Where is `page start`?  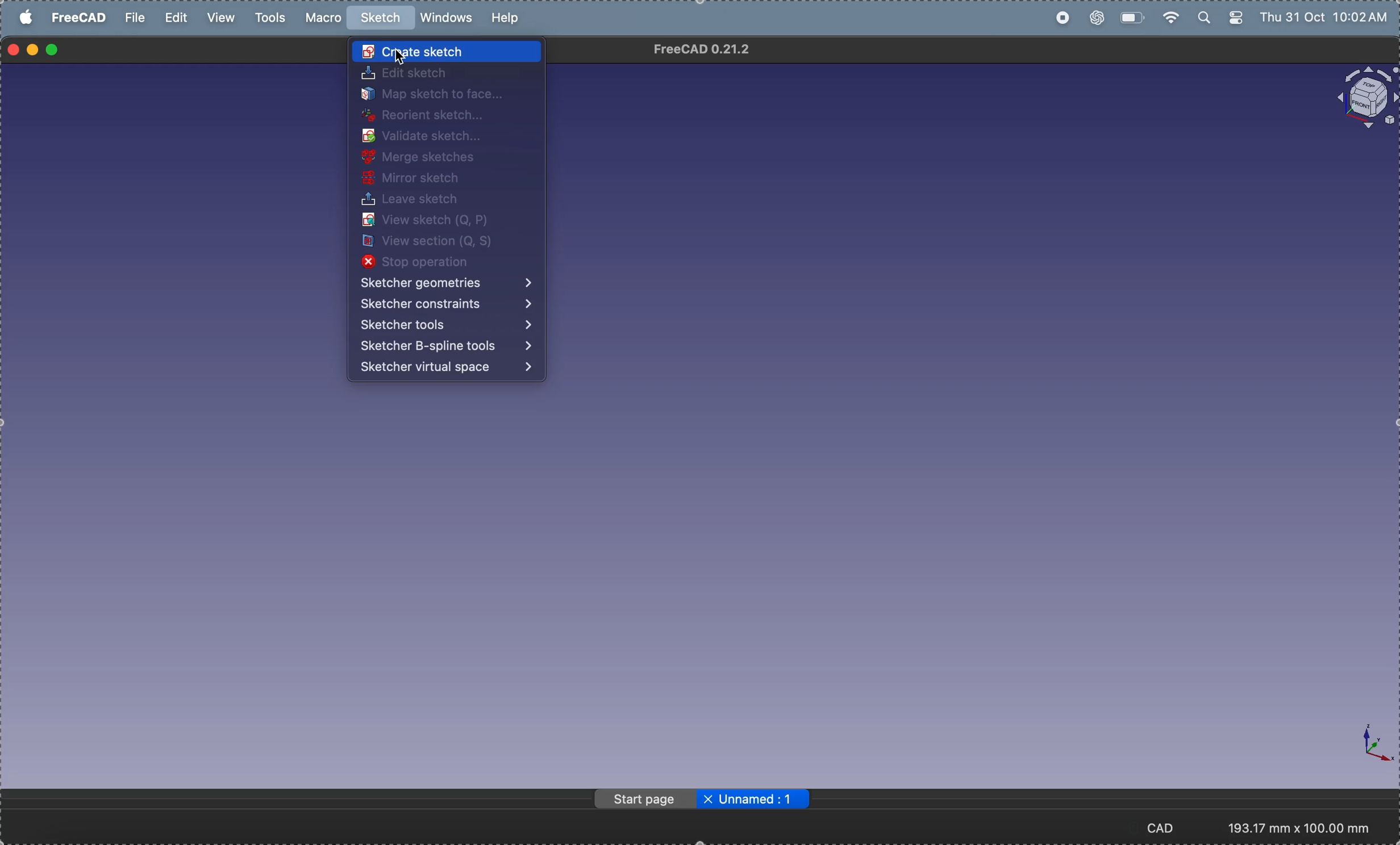 page start is located at coordinates (644, 799).